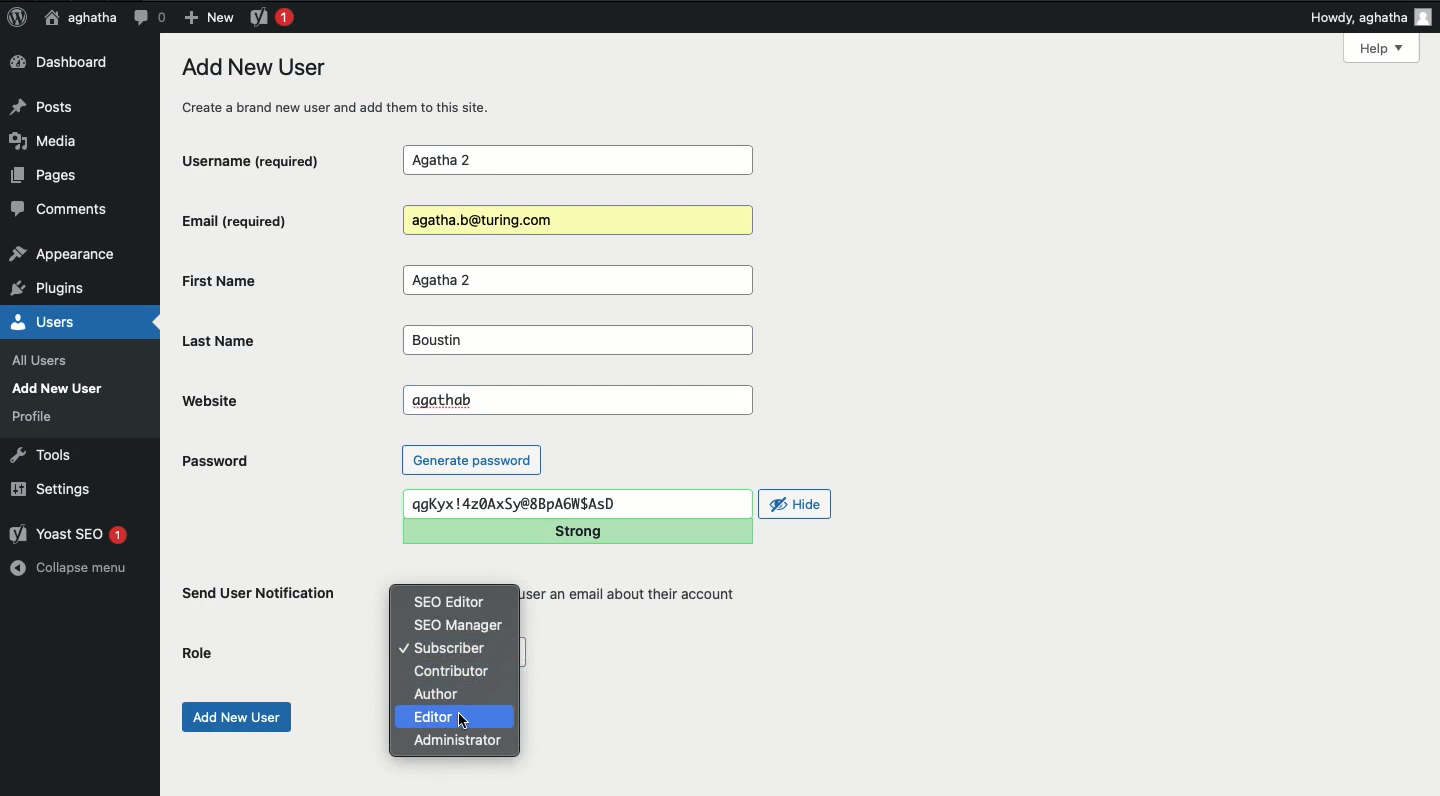 The height and width of the screenshot is (796, 1440). Describe the element at coordinates (796, 504) in the screenshot. I see `Hide` at that location.